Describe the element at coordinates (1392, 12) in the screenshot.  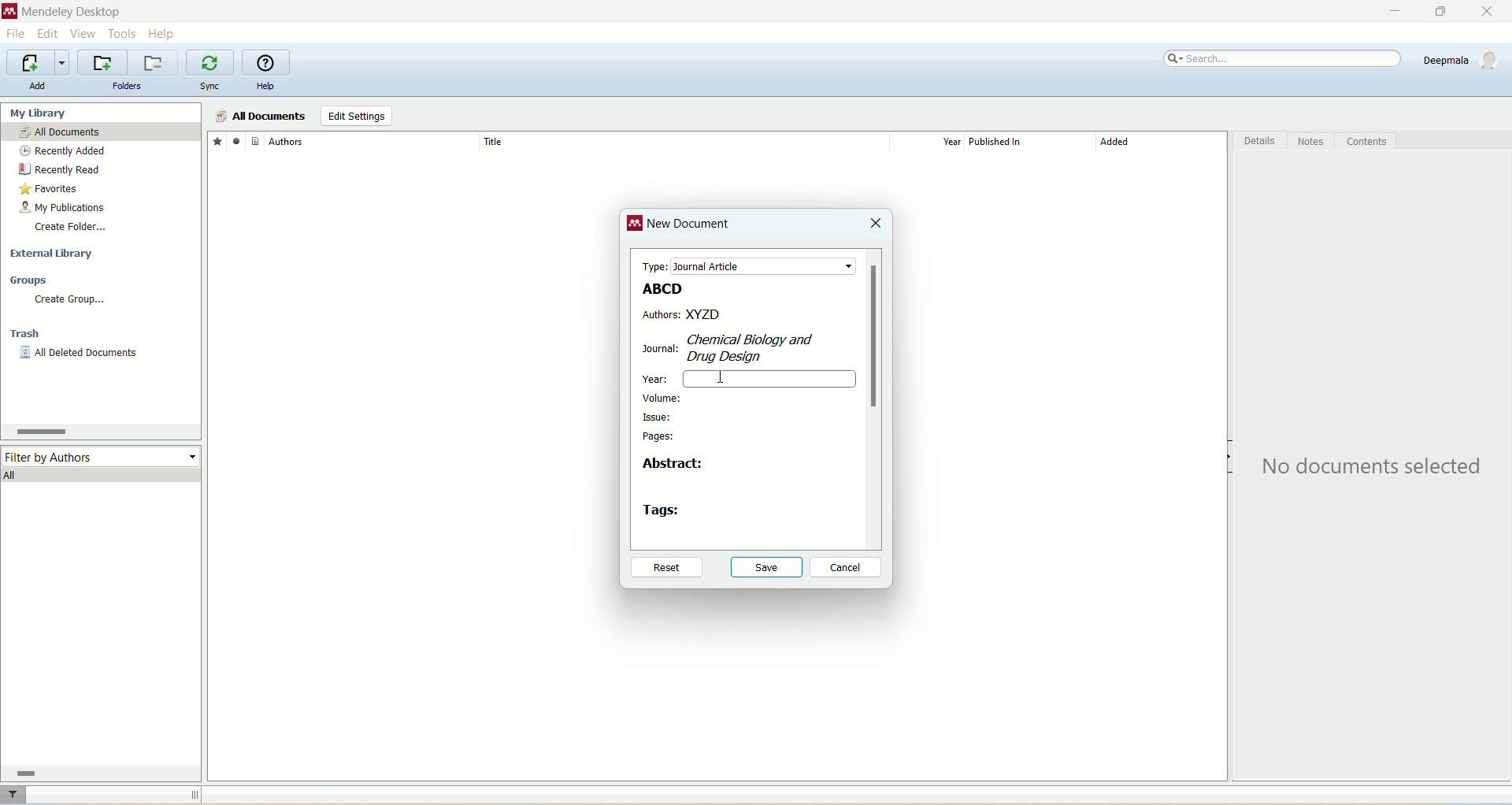
I see `minimize` at that location.